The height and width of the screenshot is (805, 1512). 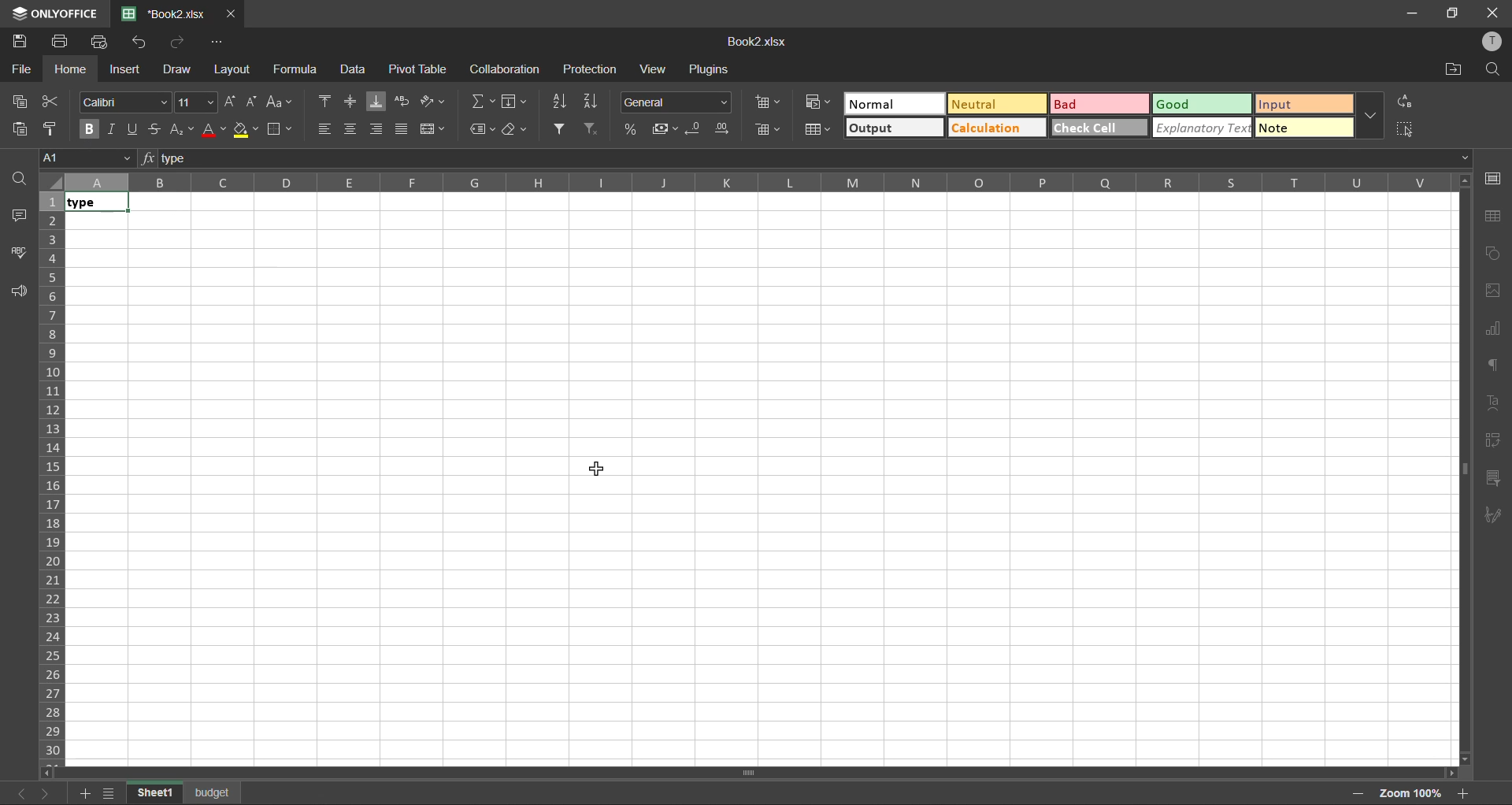 What do you see at coordinates (1497, 42) in the screenshot?
I see `profile` at bounding box center [1497, 42].